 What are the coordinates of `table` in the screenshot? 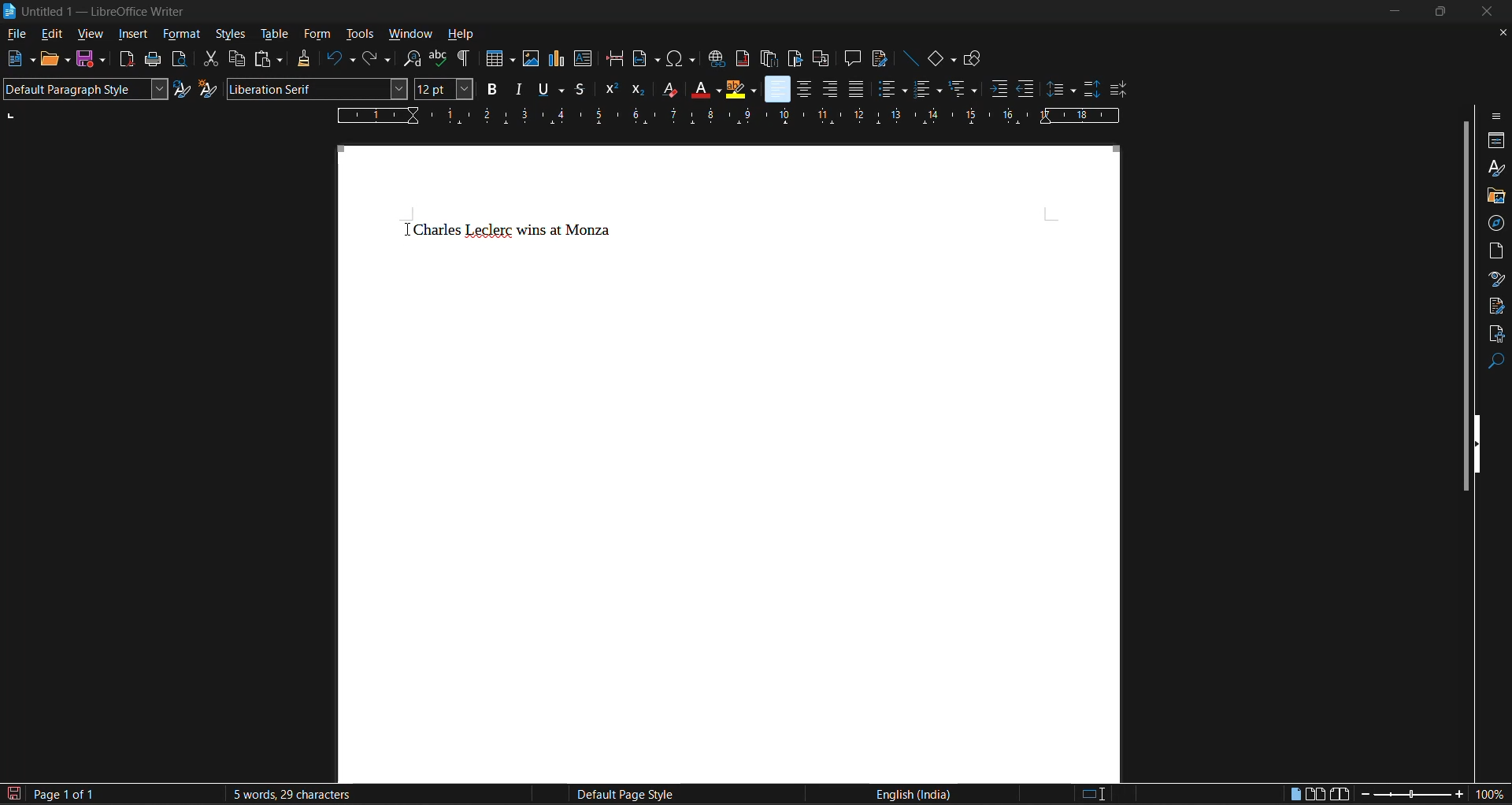 It's located at (273, 35).